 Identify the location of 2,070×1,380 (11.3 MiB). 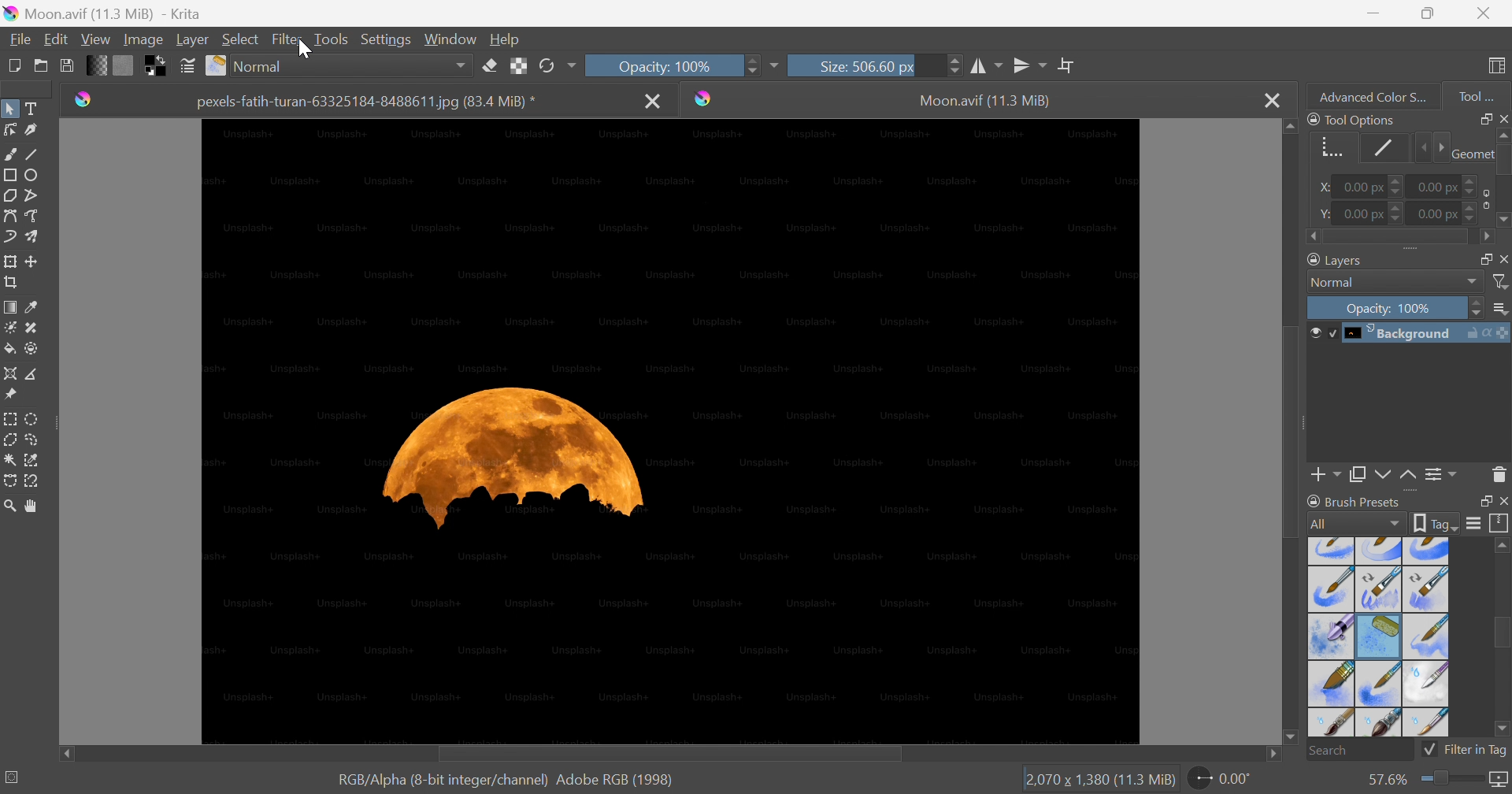
(1099, 781).